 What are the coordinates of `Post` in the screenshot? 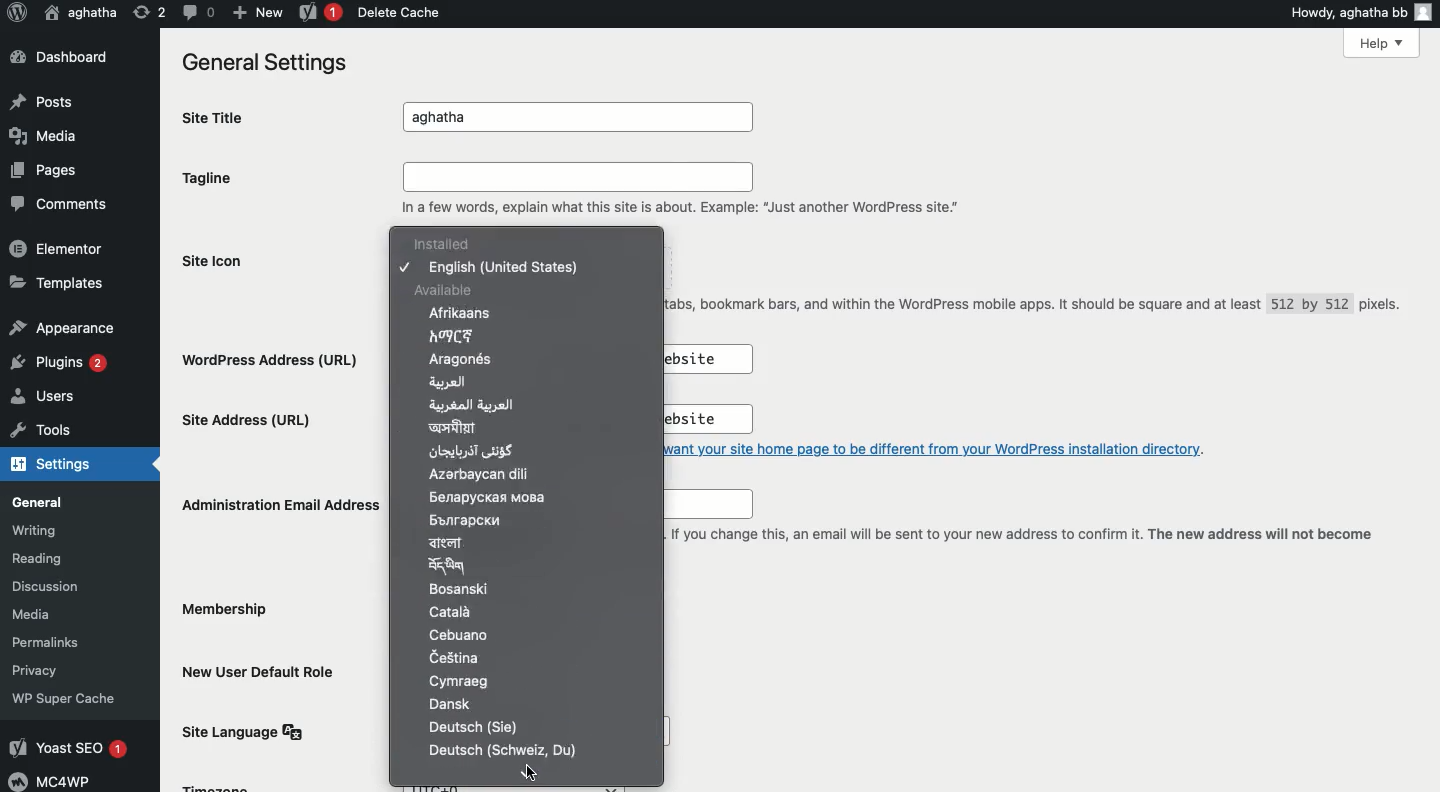 It's located at (47, 99).